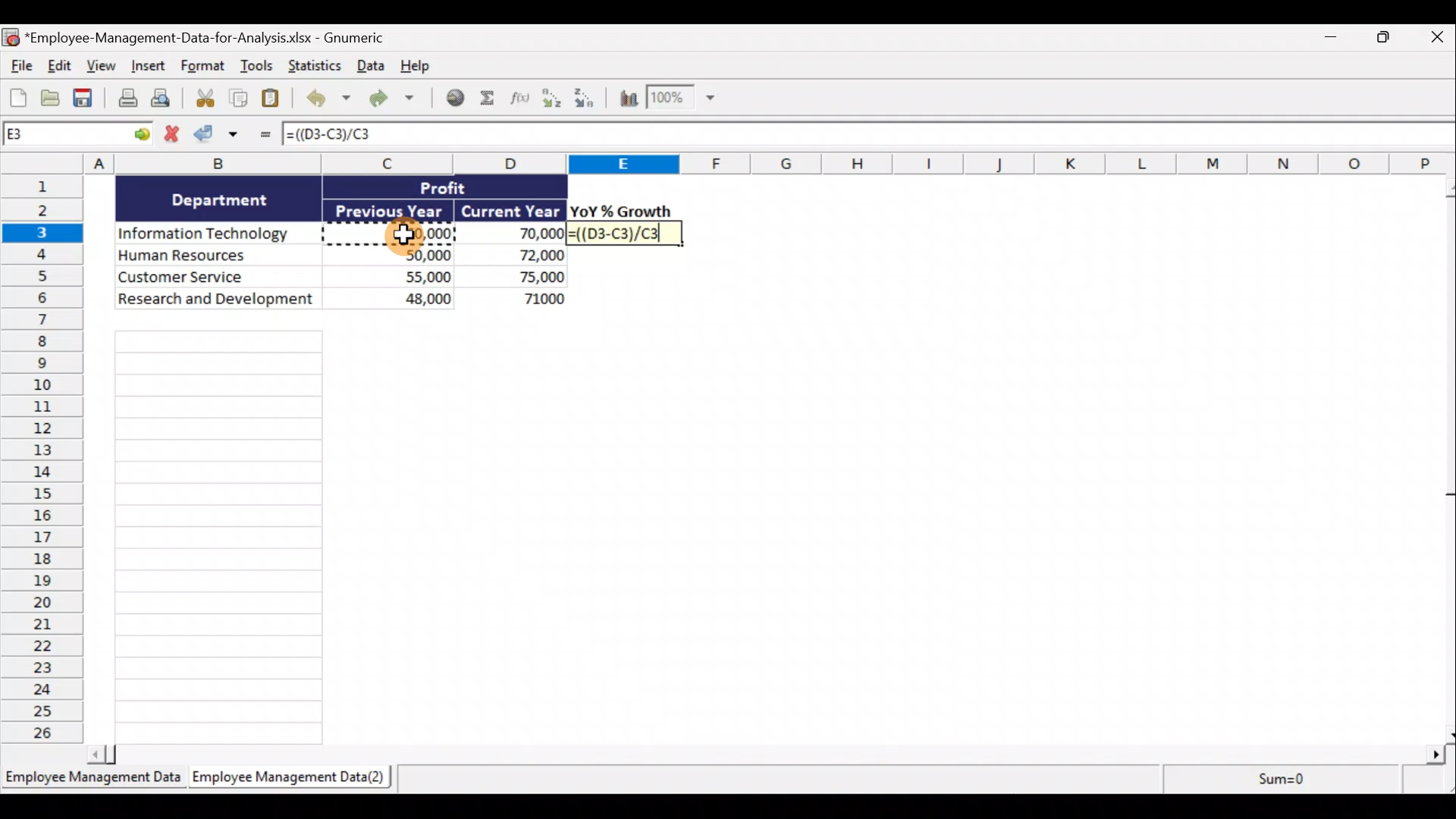  I want to click on Insert a chart, so click(627, 101).